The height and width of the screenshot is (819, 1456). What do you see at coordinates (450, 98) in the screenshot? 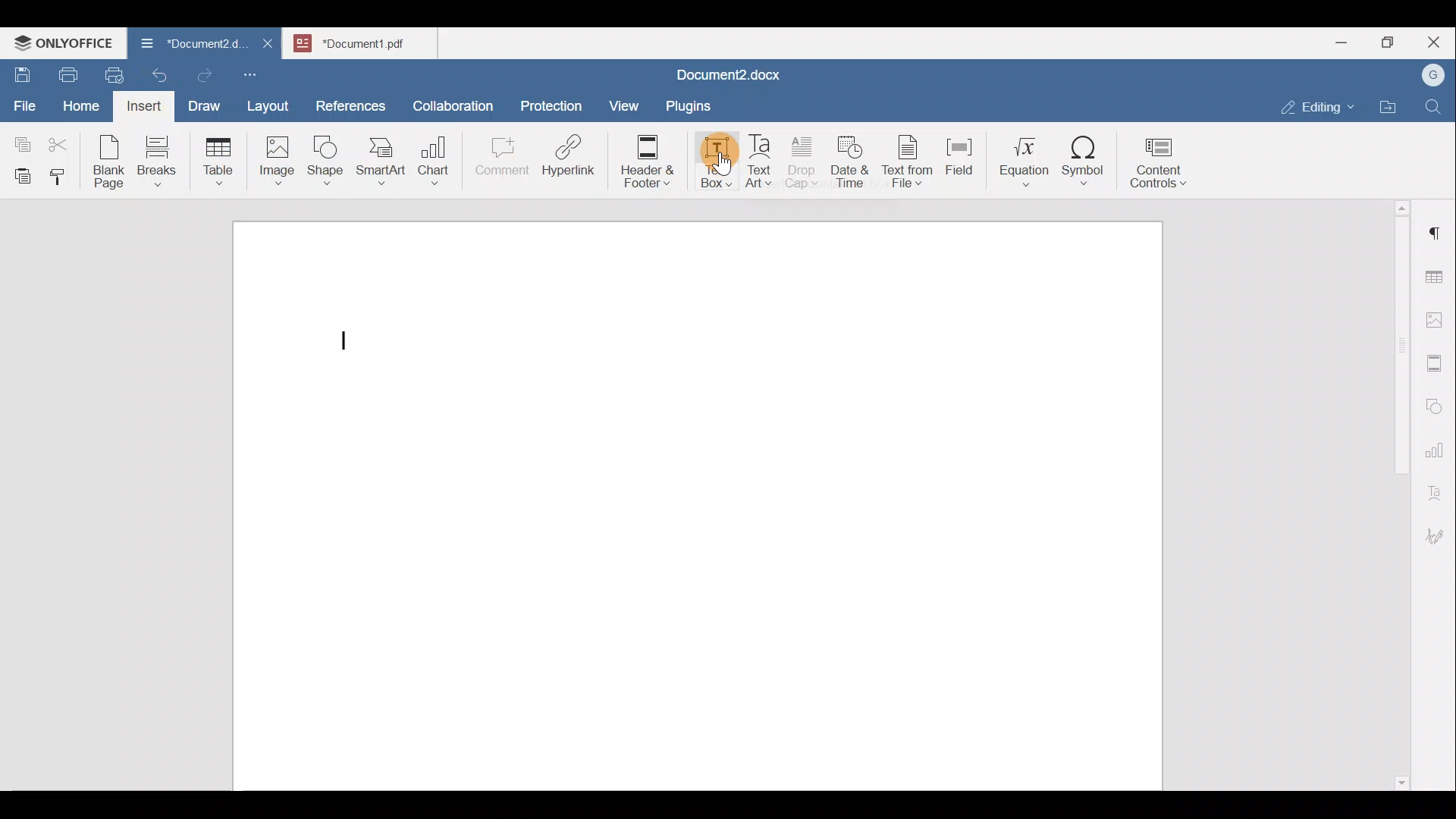
I see `Collaboration` at bounding box center [450, 98].